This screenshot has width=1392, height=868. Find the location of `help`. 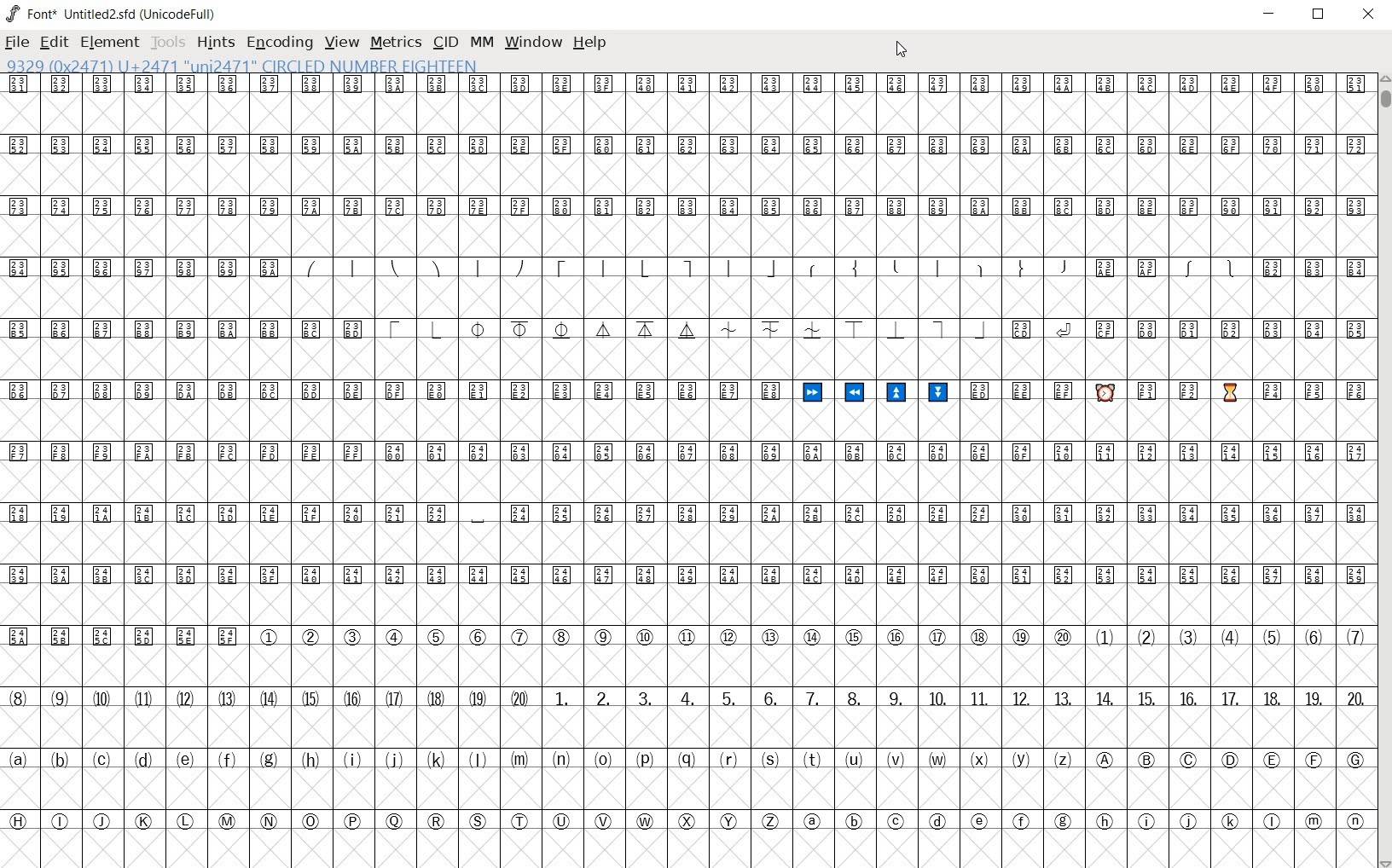

help is located at coordinates (589, 43).